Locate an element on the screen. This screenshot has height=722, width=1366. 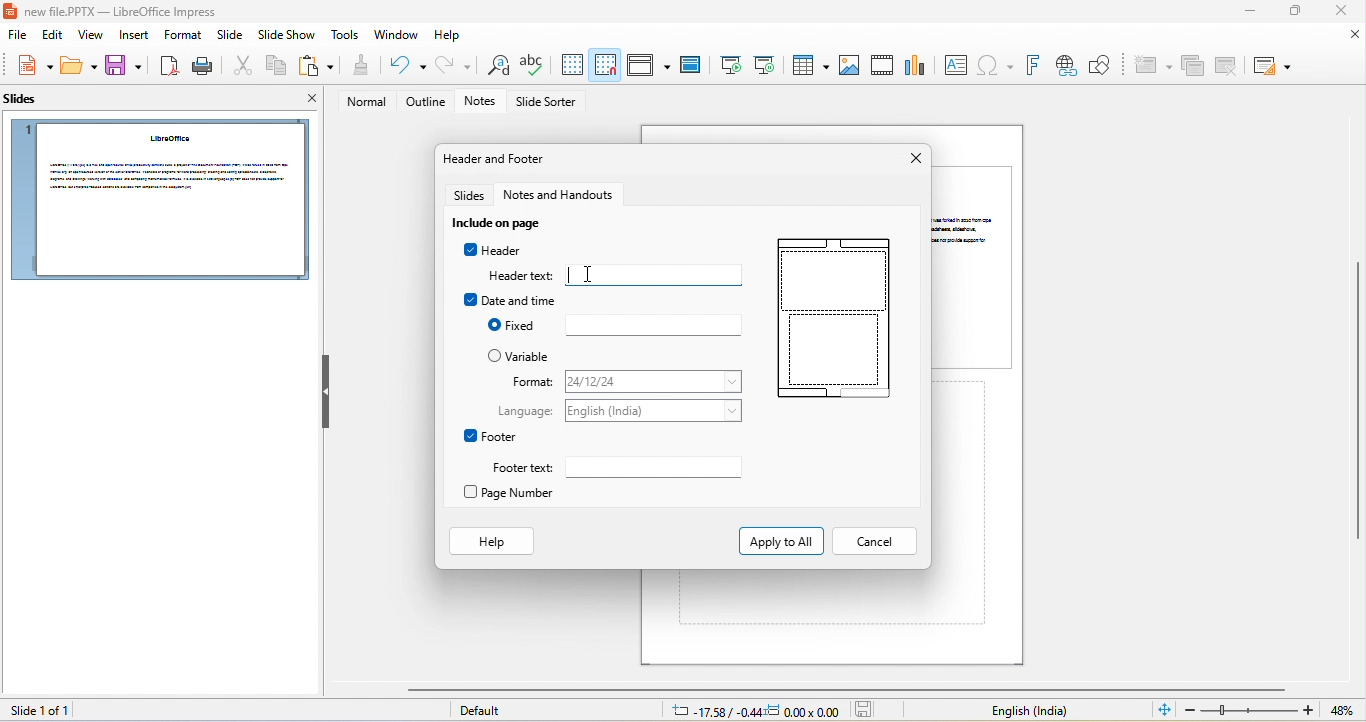
spelling is located at coordinates (532, 66).